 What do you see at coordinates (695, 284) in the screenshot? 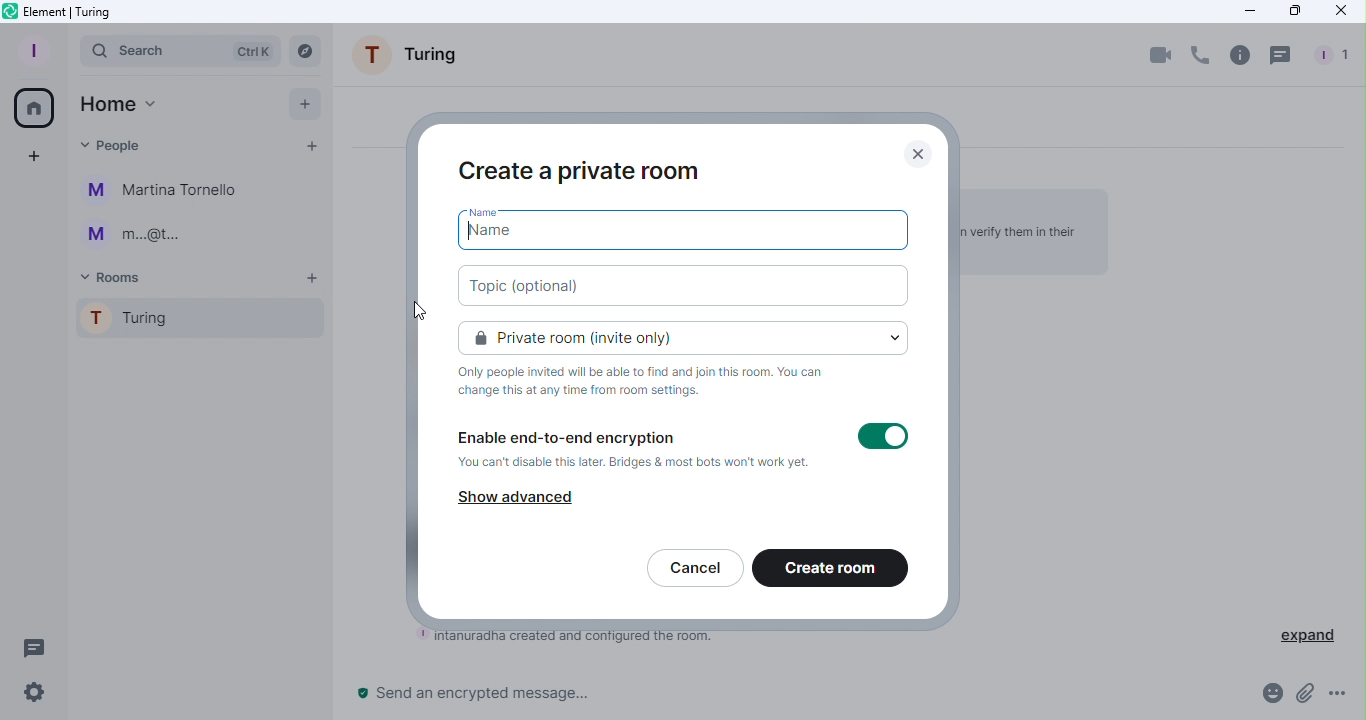
I see `Topic ` at bounding box center [695, 284].